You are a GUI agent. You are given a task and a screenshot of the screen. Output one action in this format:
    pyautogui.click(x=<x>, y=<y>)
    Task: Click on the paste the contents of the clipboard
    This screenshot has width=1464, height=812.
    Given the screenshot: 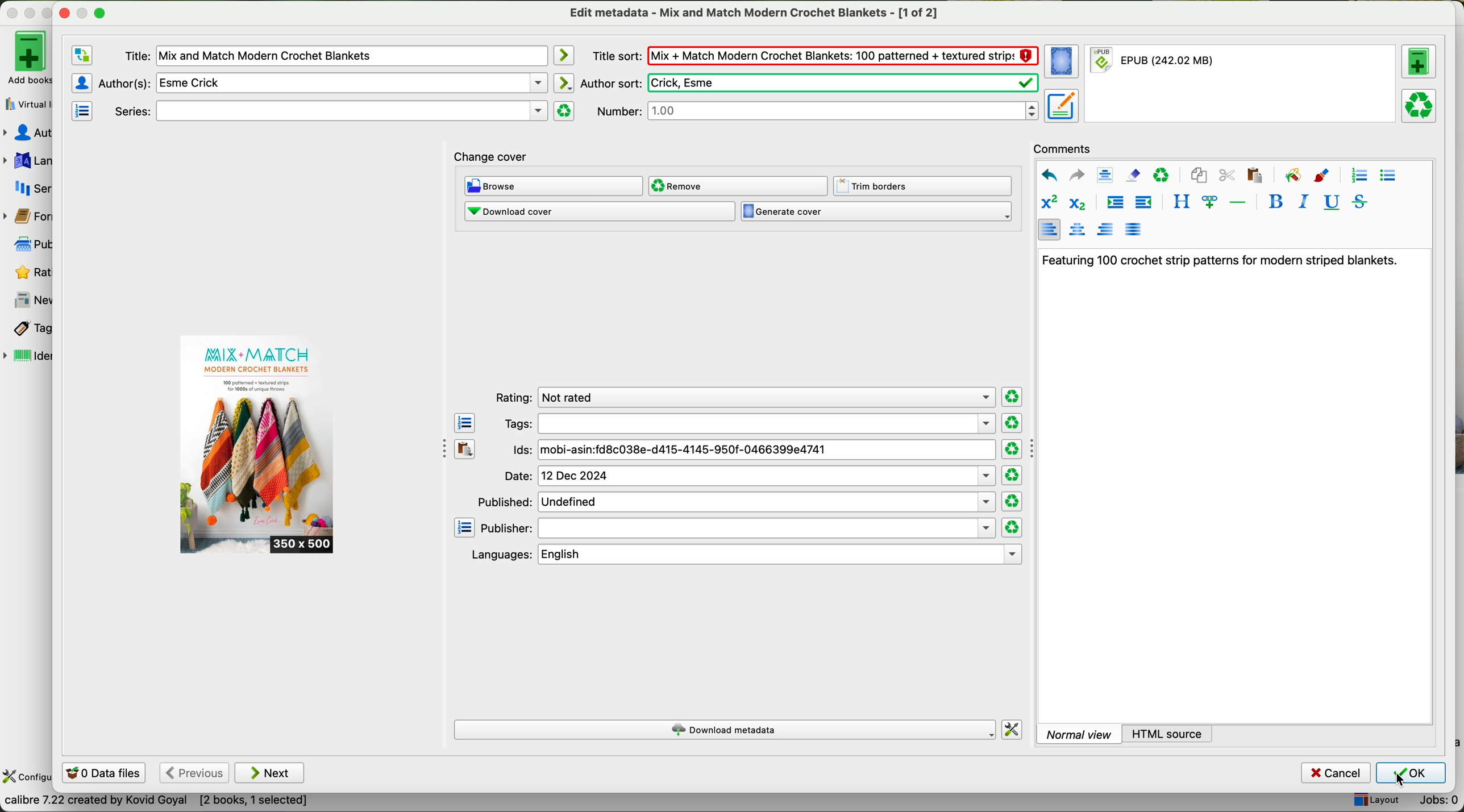 What is the action you would take?
    pyautogui.click(x=465, y=449)
    